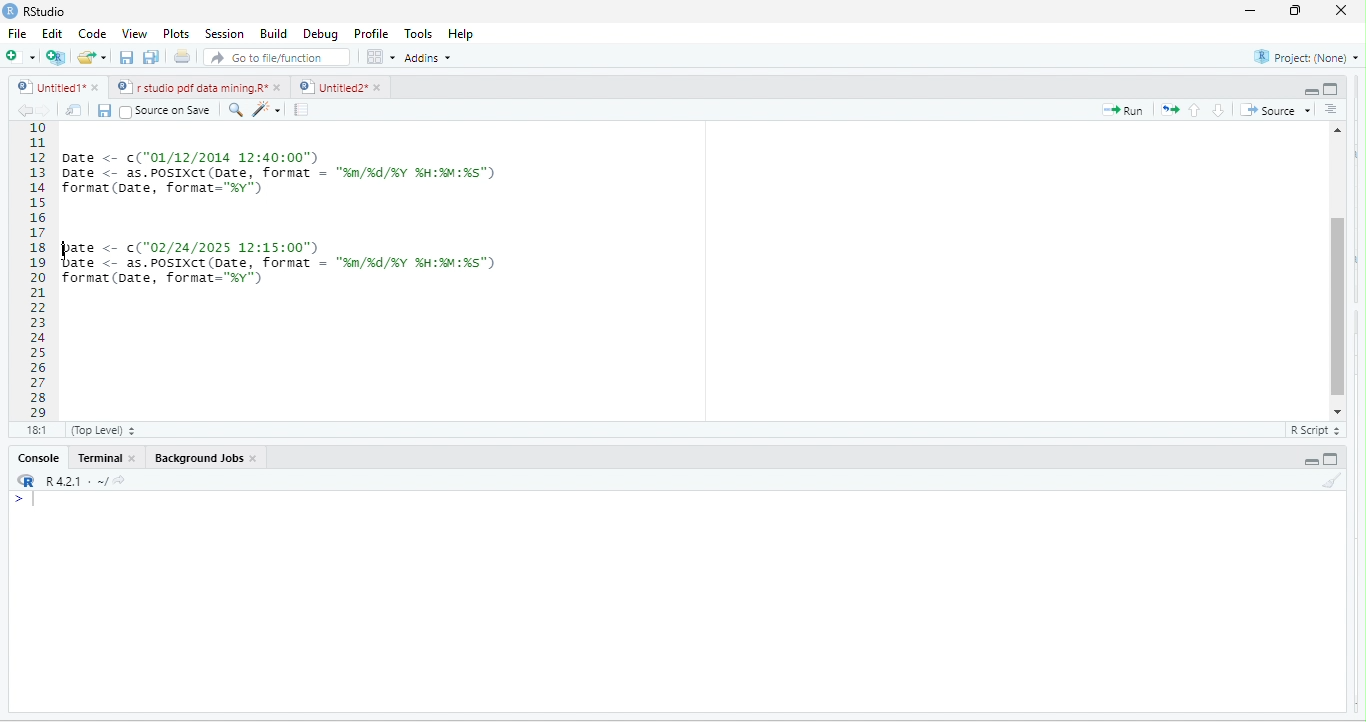  Describe the element at coordinates (150, 57) in the screenshot. I see `save all open documents` at that location.